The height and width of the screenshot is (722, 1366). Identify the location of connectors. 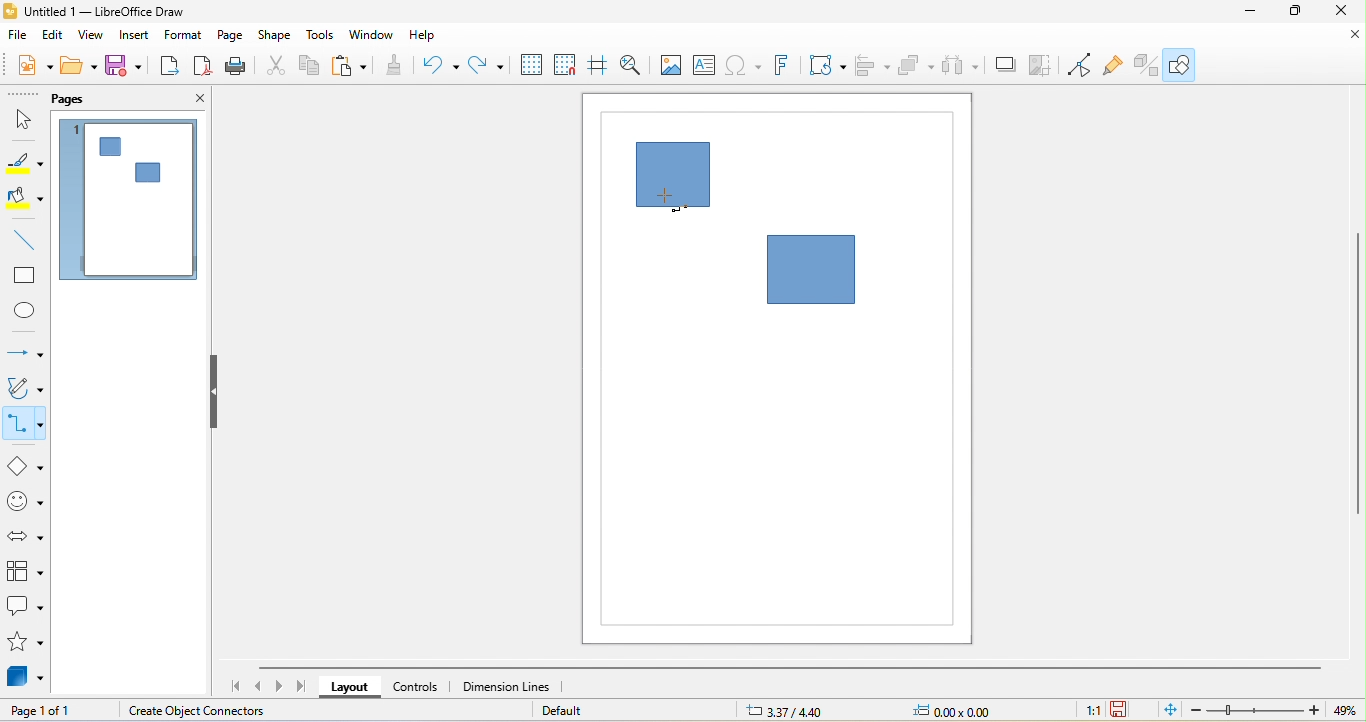
(26, 427).